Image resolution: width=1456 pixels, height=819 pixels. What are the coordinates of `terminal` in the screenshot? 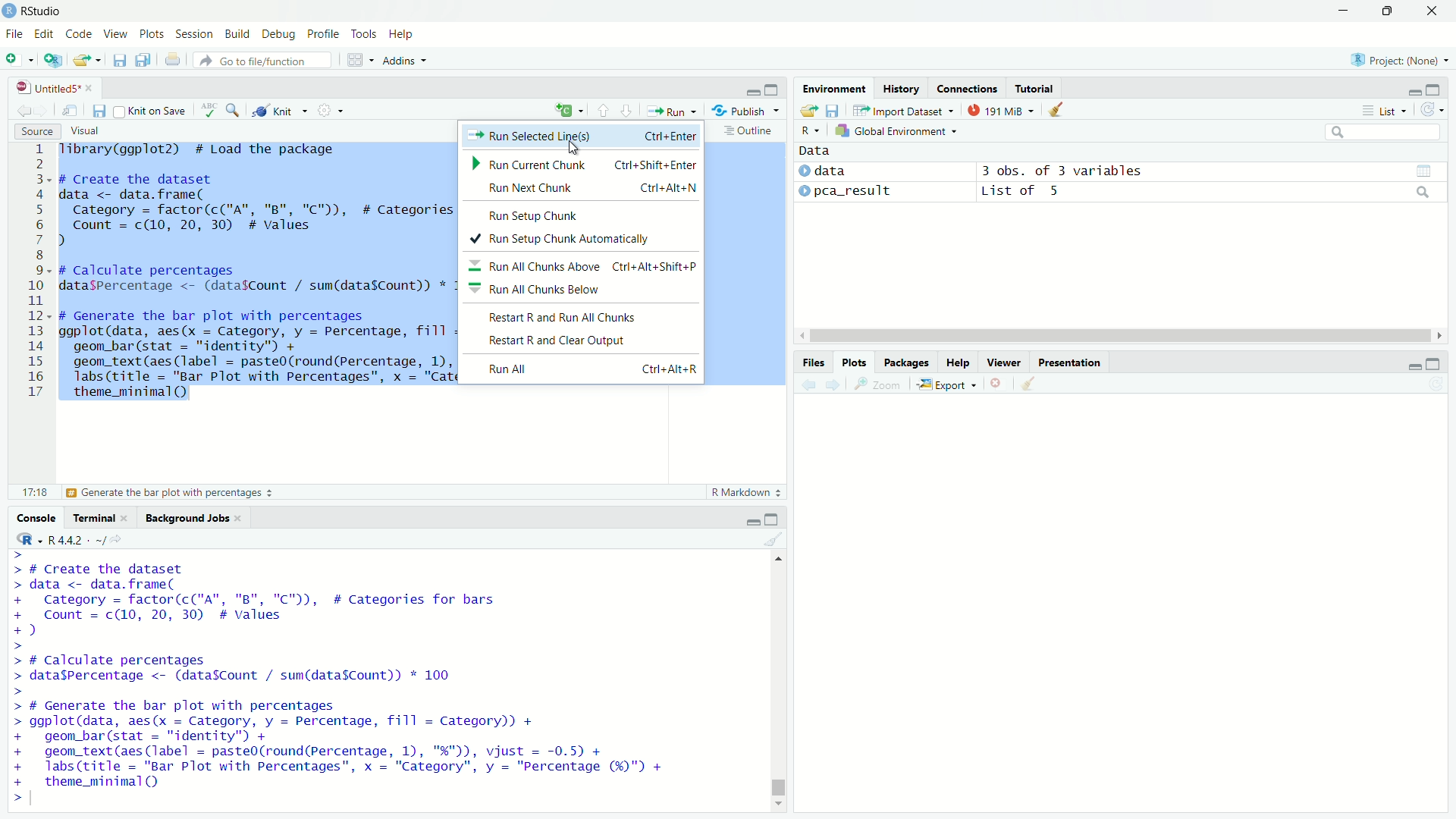 It's located at (100, 517).